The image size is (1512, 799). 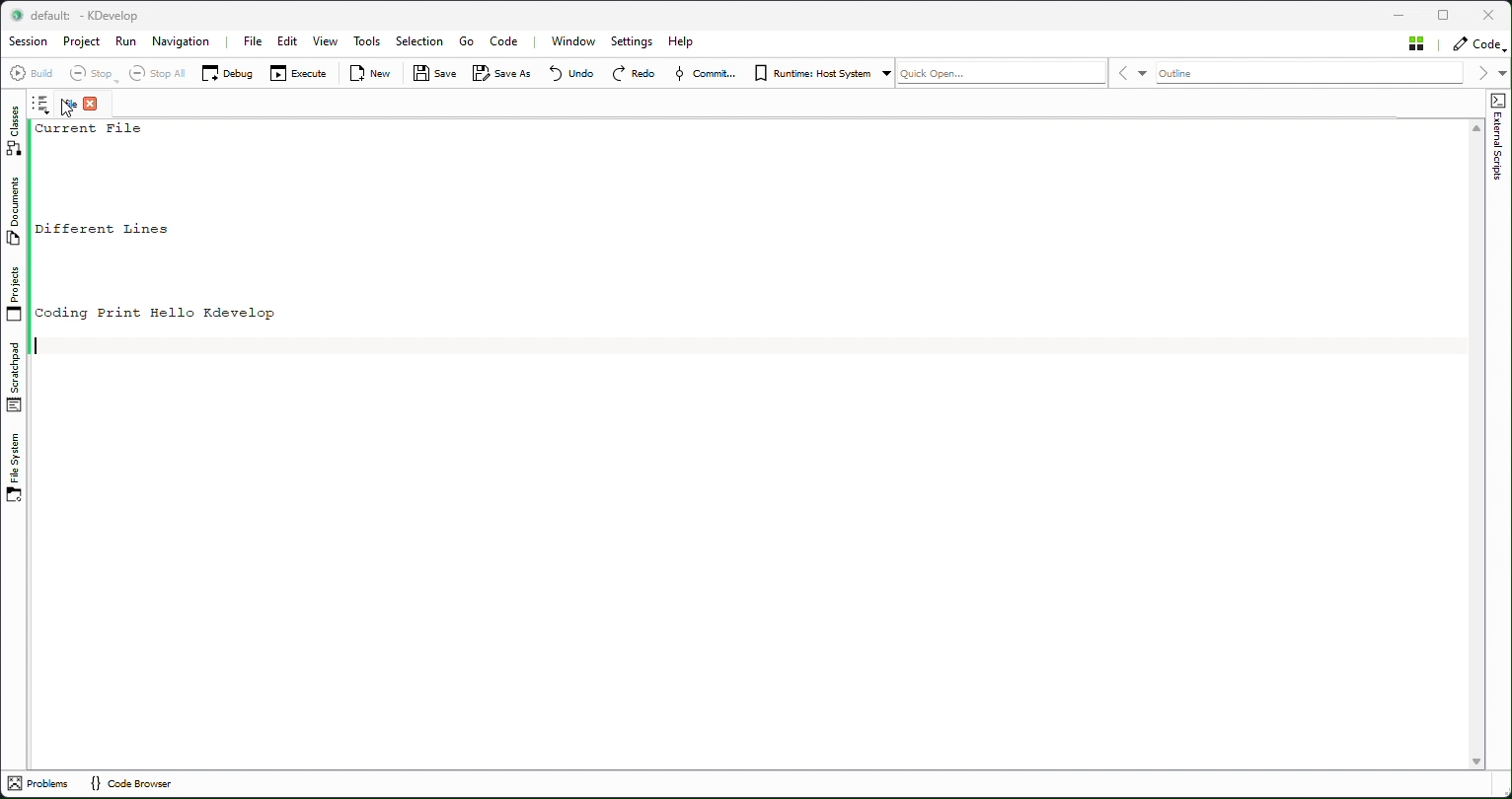 What do you see at coordinates (1488, 14) in the screenshot?
I see `Close` at bounding box center [1488, 14].